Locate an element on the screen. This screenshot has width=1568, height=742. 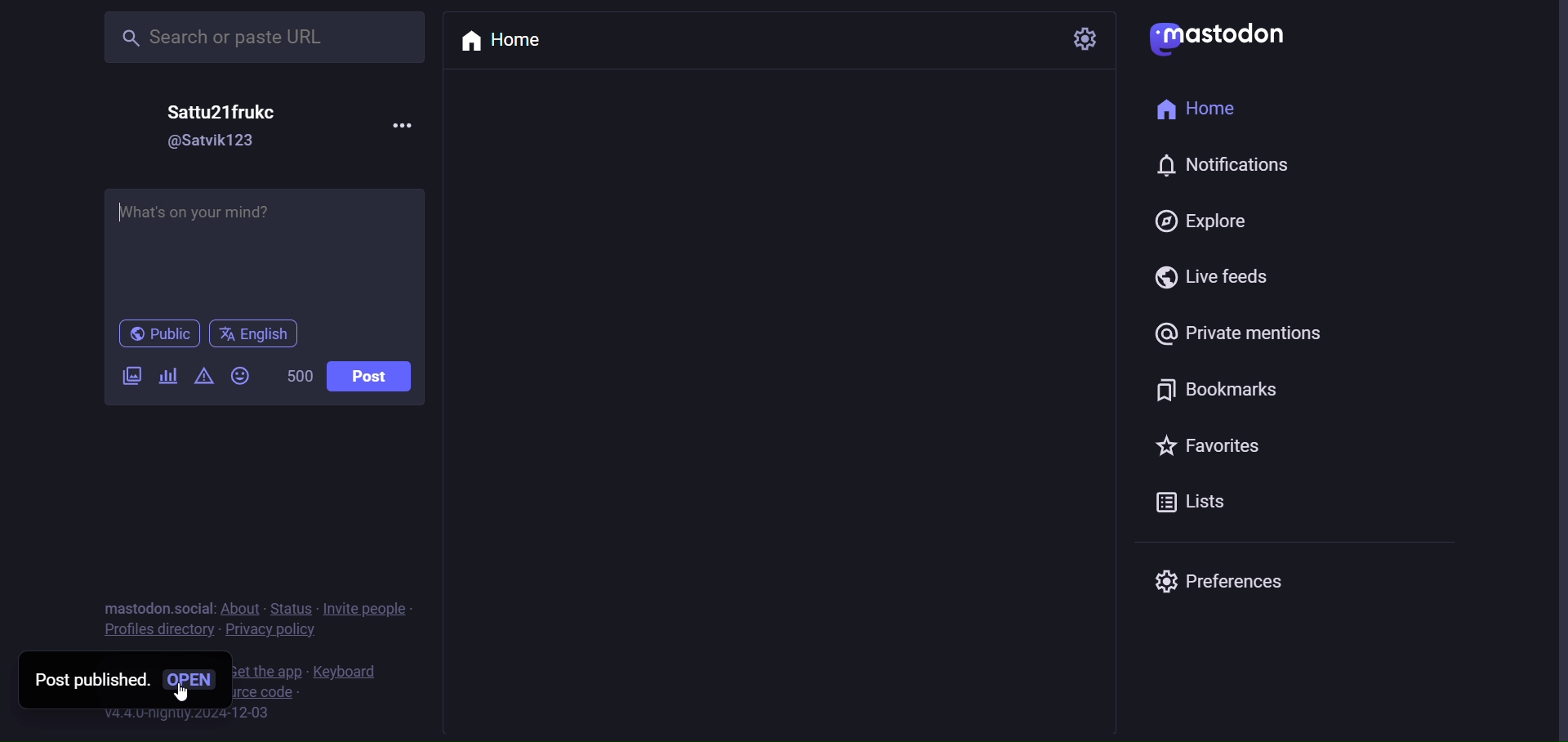
image/videos is located at coordinates (131, 377).